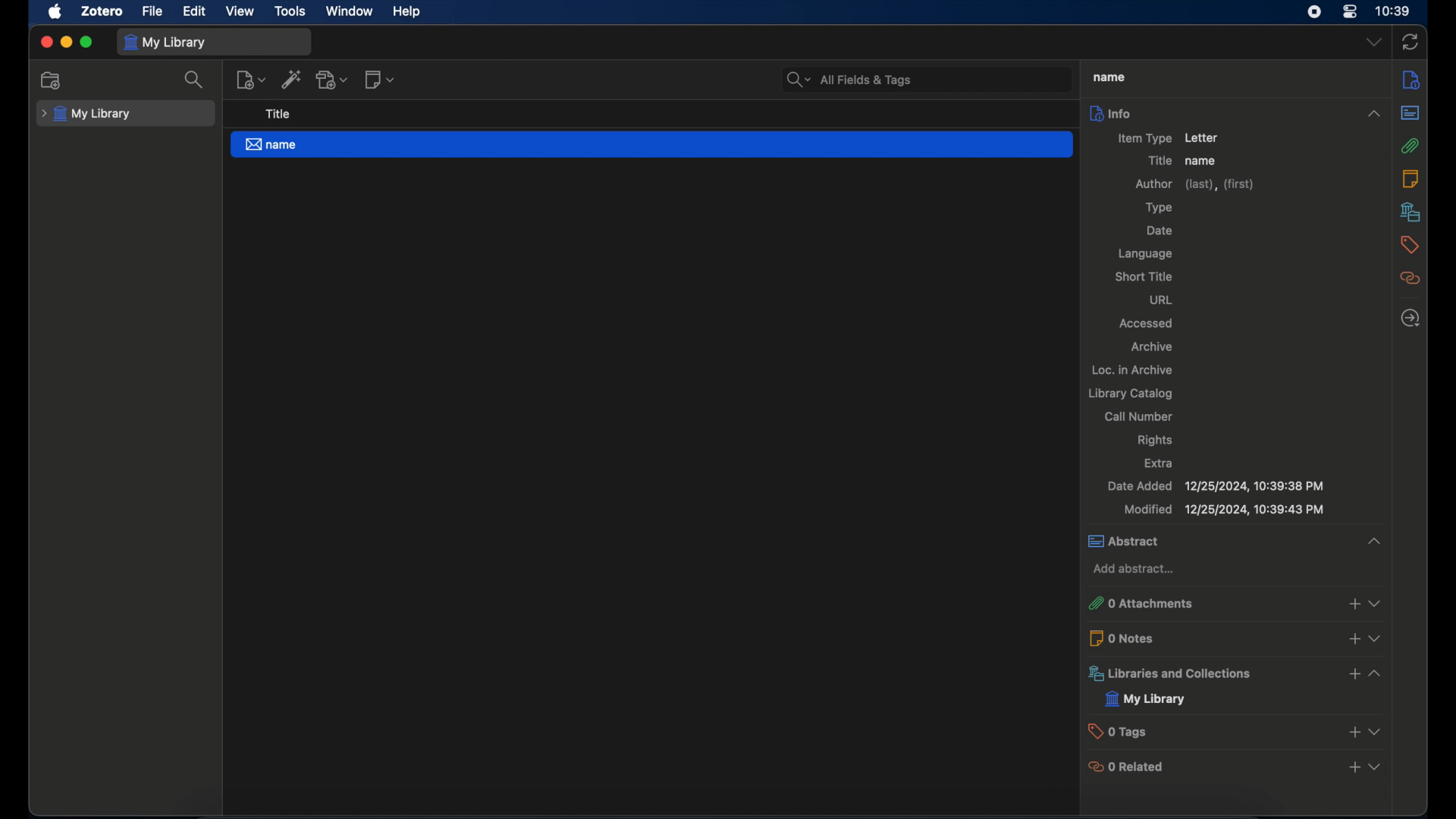 This screenshot has width=1456, height=819. Describe the element at coordinates (1411, 80) in the screenshot. I see `info` at that location.